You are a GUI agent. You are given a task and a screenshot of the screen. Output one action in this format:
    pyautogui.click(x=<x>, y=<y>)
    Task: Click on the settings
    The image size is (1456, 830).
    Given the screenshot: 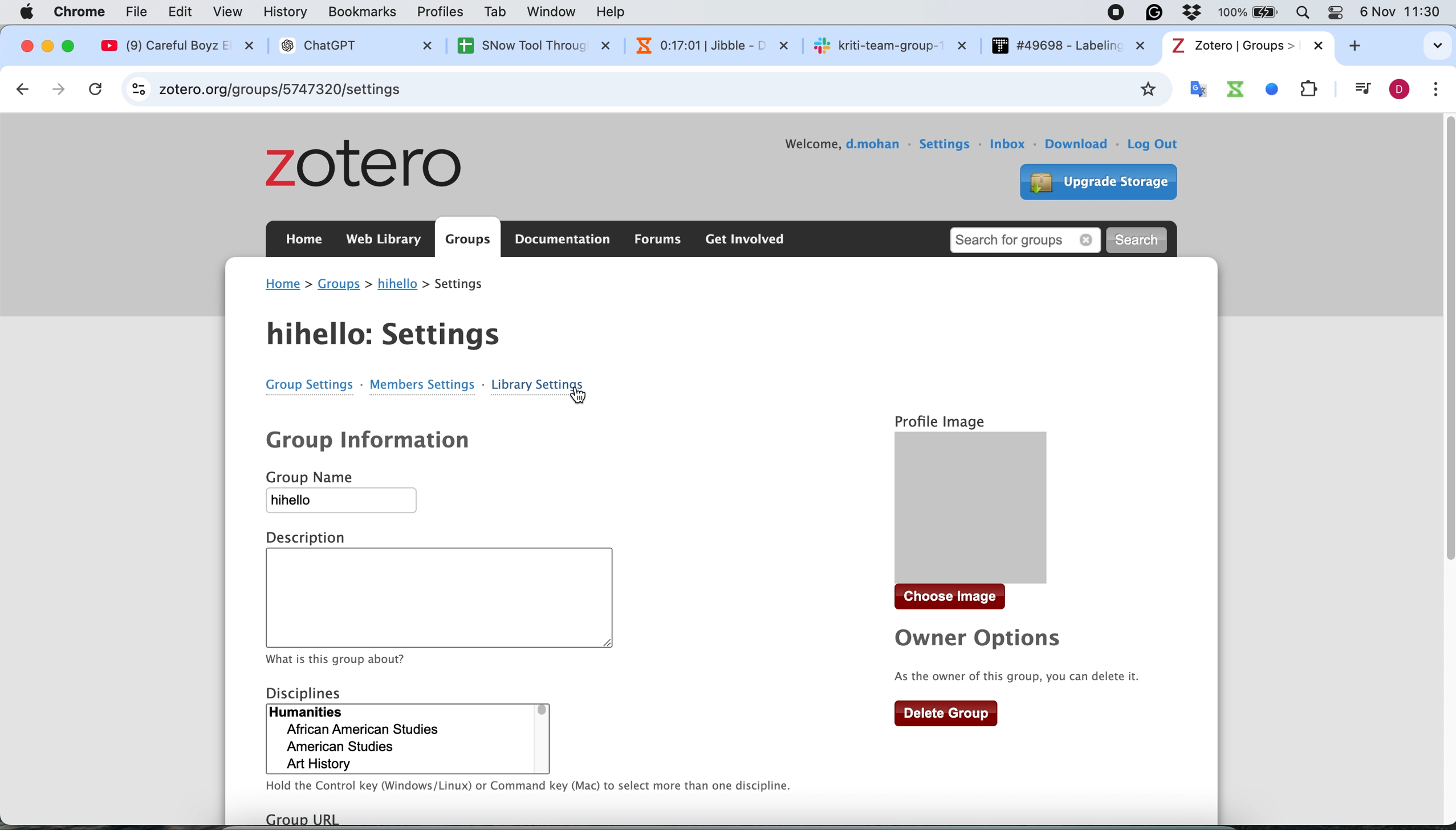 What is the action you would take?
    pyautogui.click(x=946, y=140)
    